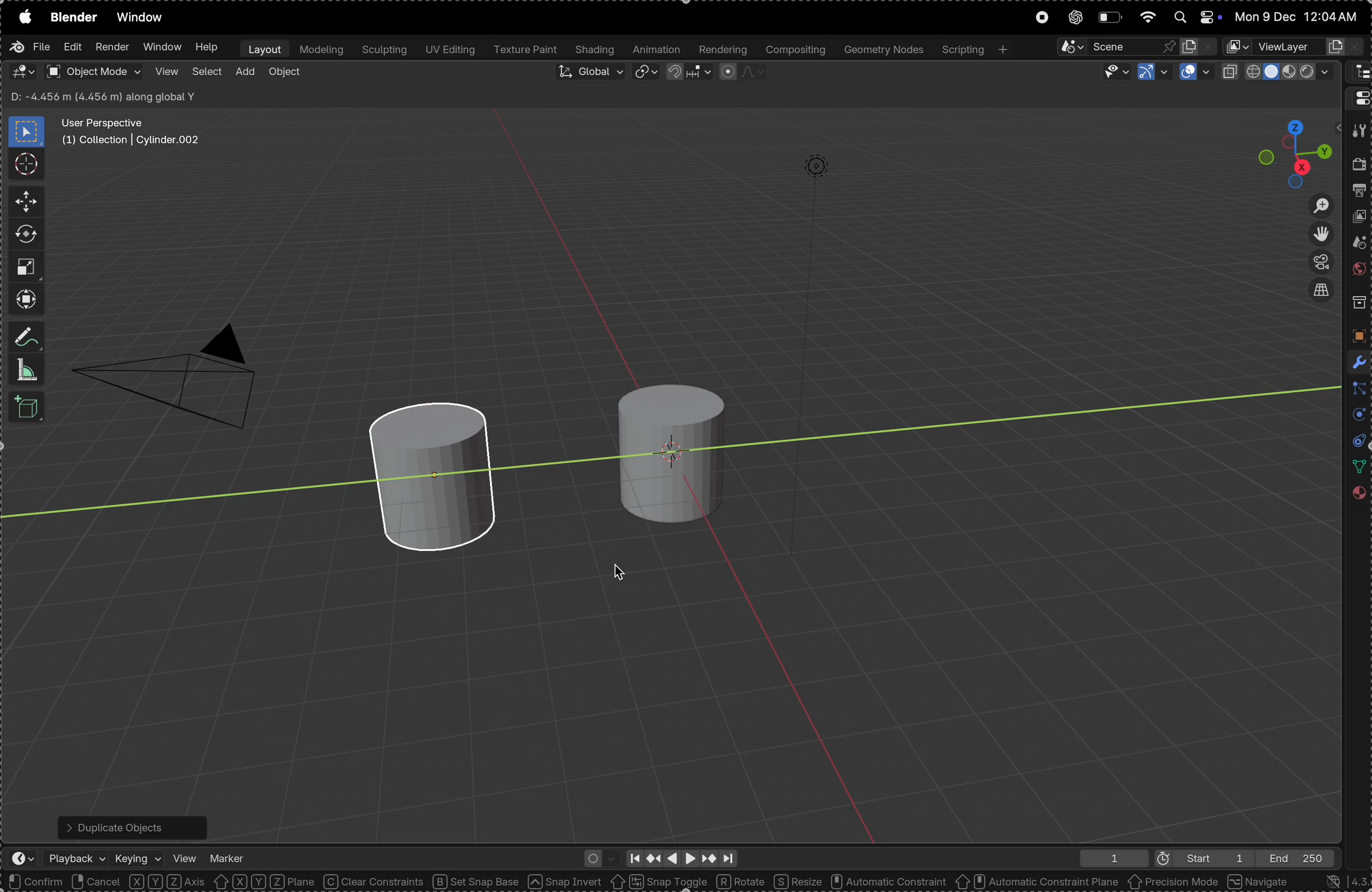  I want to click on record, so click(1041, 18).